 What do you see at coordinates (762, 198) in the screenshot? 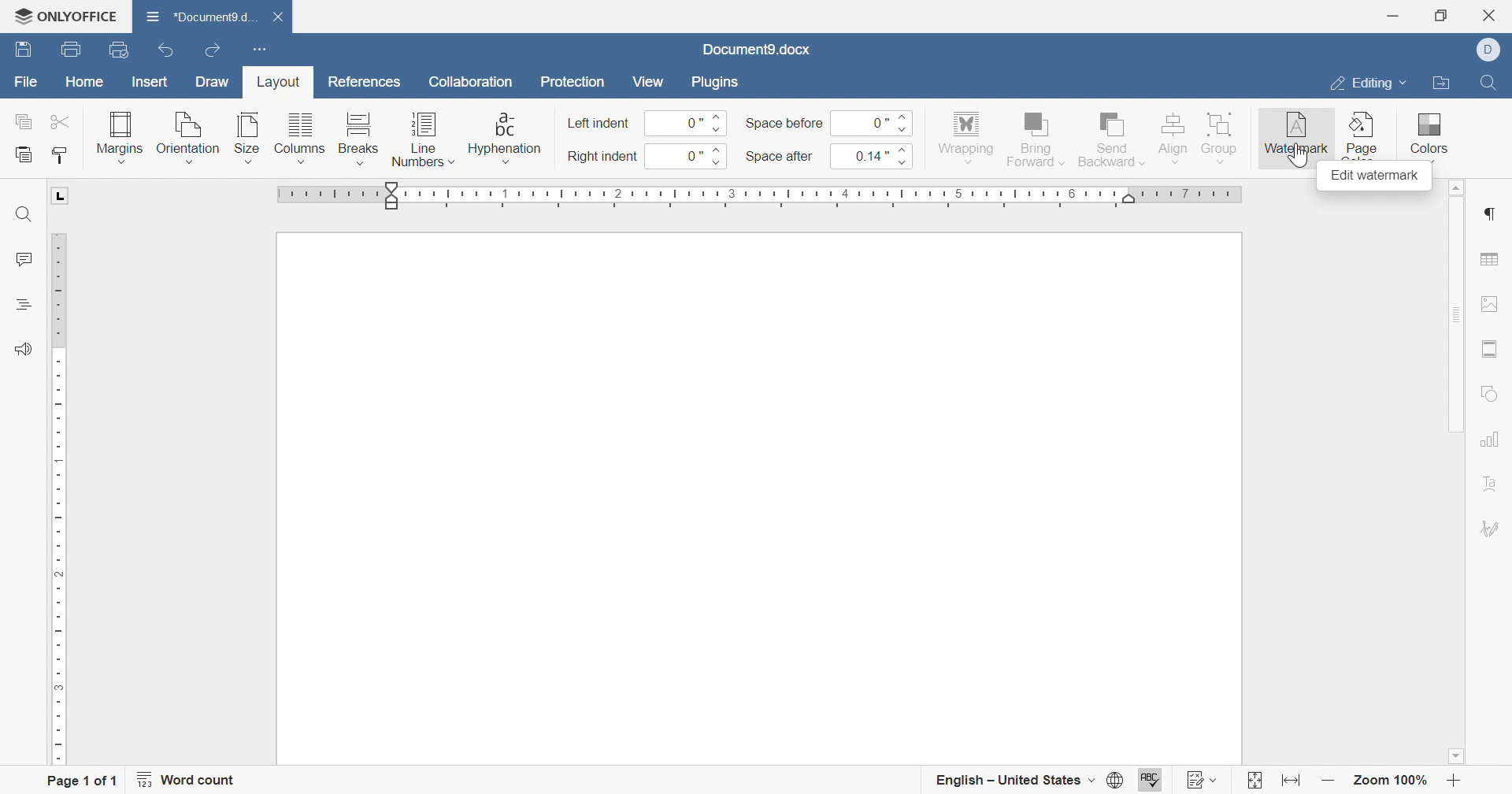
I see `ruler` at bounding box center [762, 198].